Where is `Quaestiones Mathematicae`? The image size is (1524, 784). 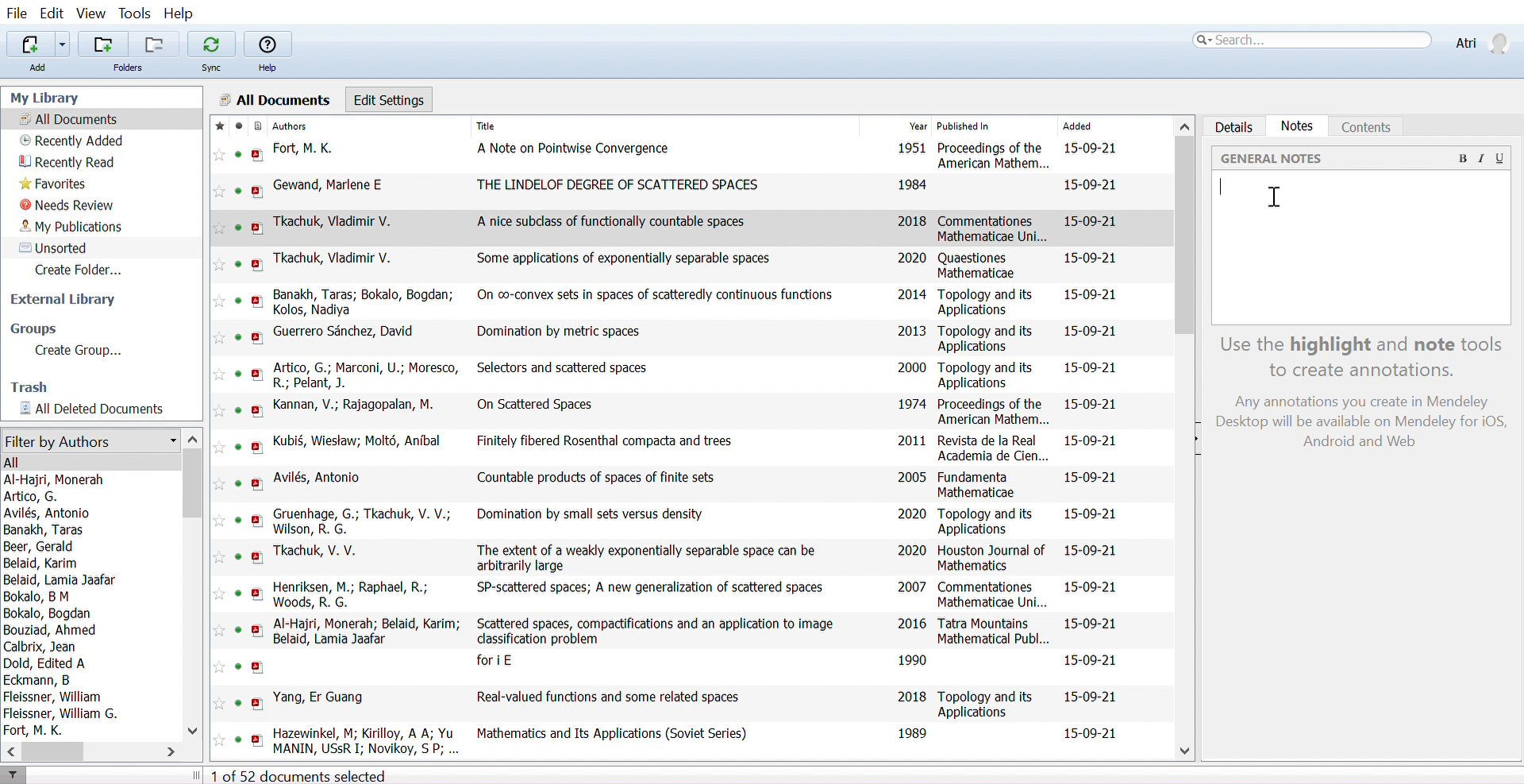
Quaestiones Mathematicae is located at coordinates (983, 265).